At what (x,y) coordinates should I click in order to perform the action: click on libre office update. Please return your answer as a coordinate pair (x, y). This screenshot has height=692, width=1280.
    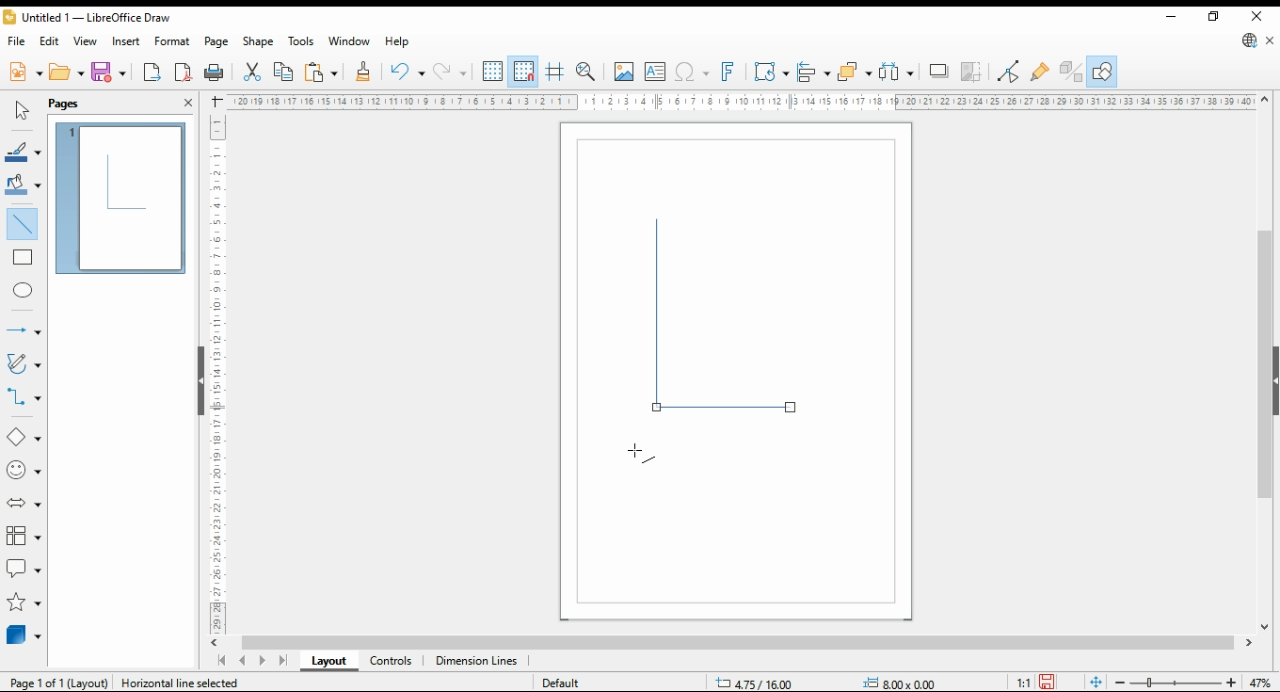
    Looking at the image, I should click on (1250, 42).